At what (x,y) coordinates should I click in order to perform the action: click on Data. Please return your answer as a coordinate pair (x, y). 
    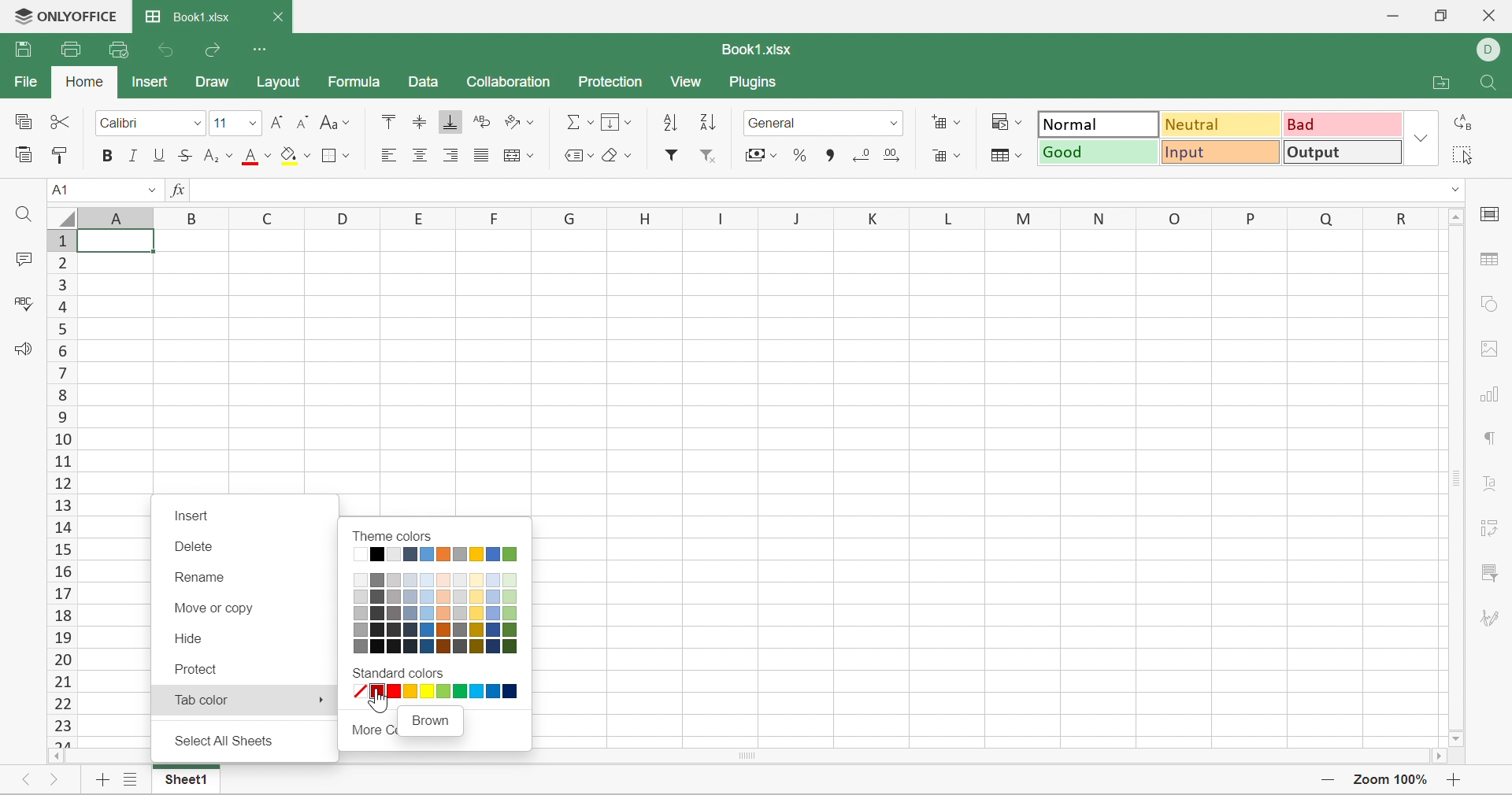
    Looking at the image, I should click on (424, 83).